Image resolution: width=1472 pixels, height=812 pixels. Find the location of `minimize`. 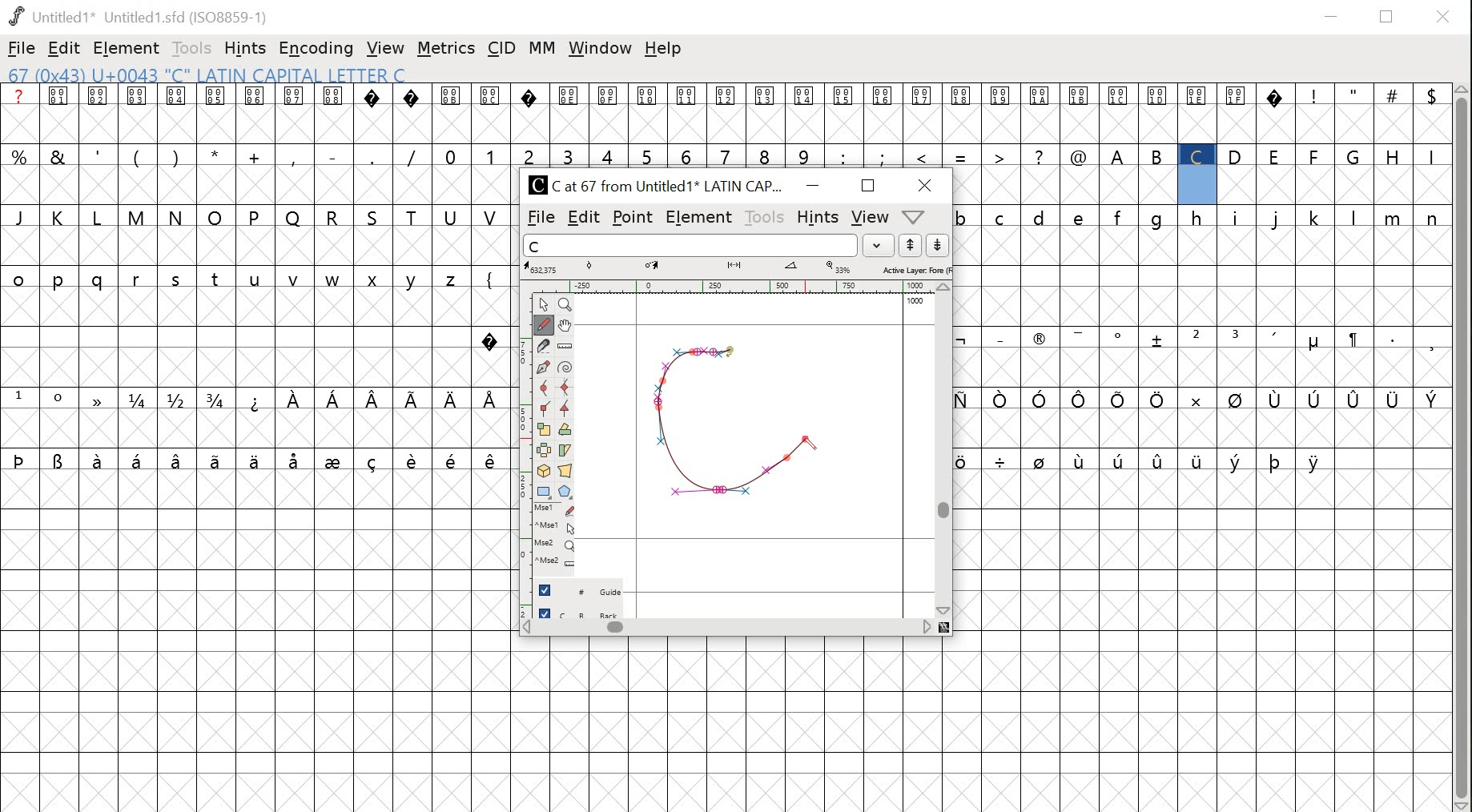

minimize is located at coordinates (1333, 14).